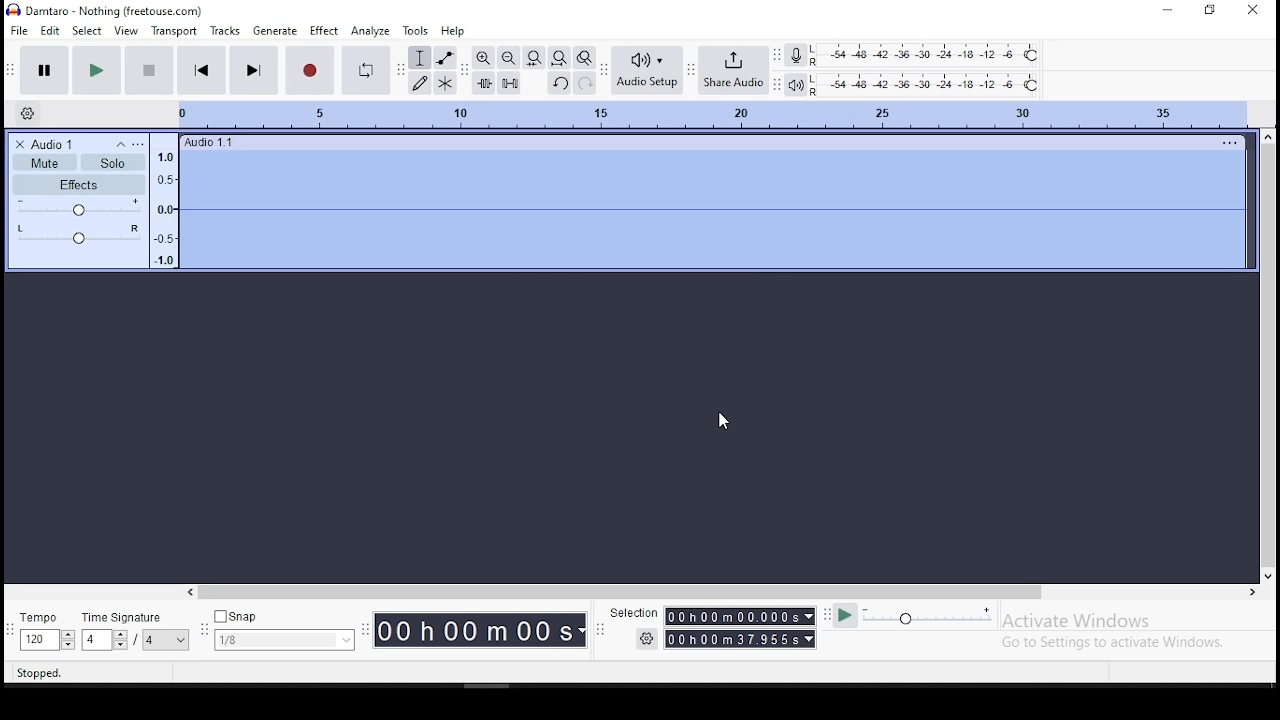  Describe the element at coordinates (507, 83) in the screenshot. I see `silence audio signal` at that location.